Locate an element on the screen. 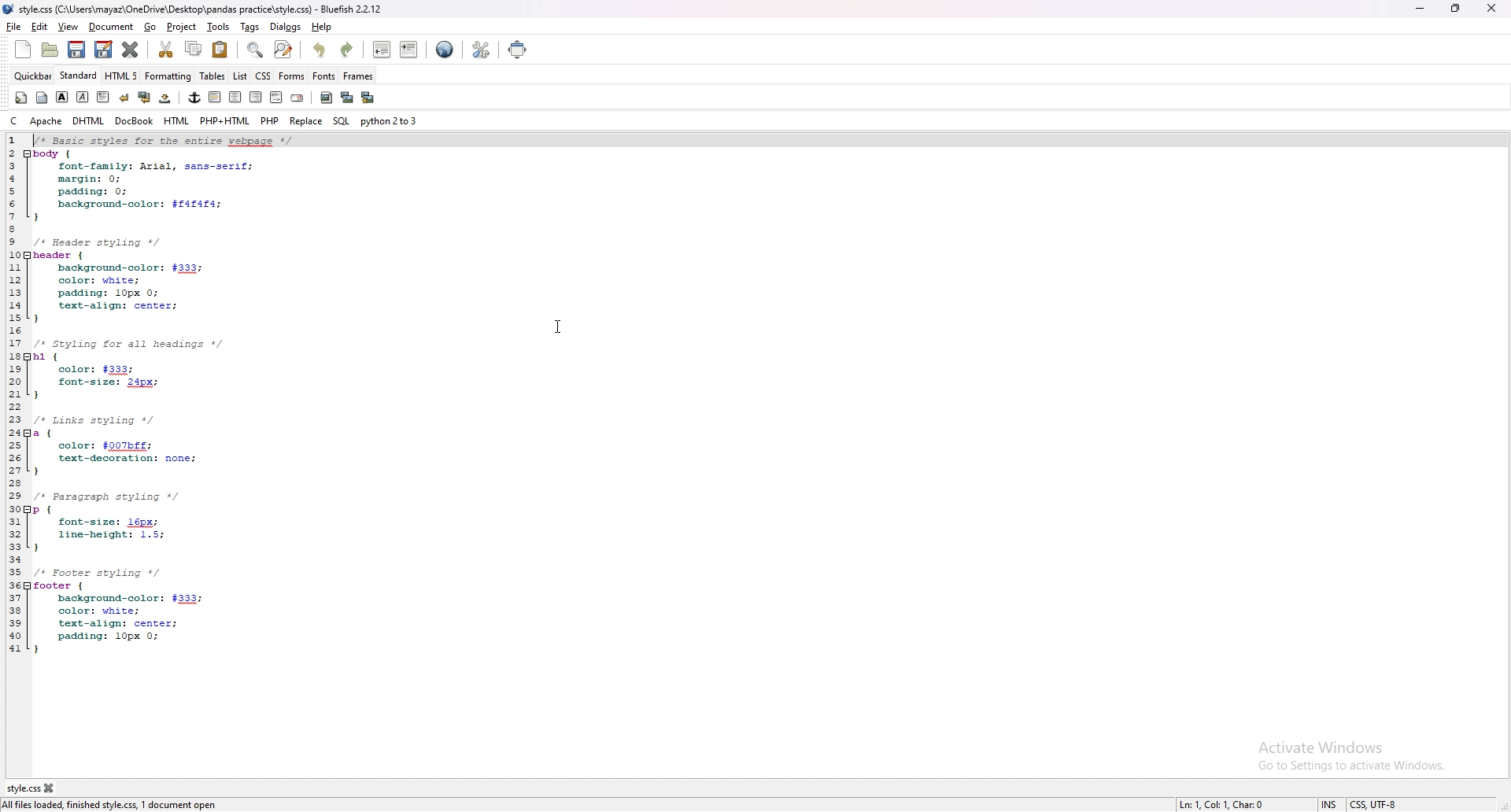  new is located at coordinates (23, 50).